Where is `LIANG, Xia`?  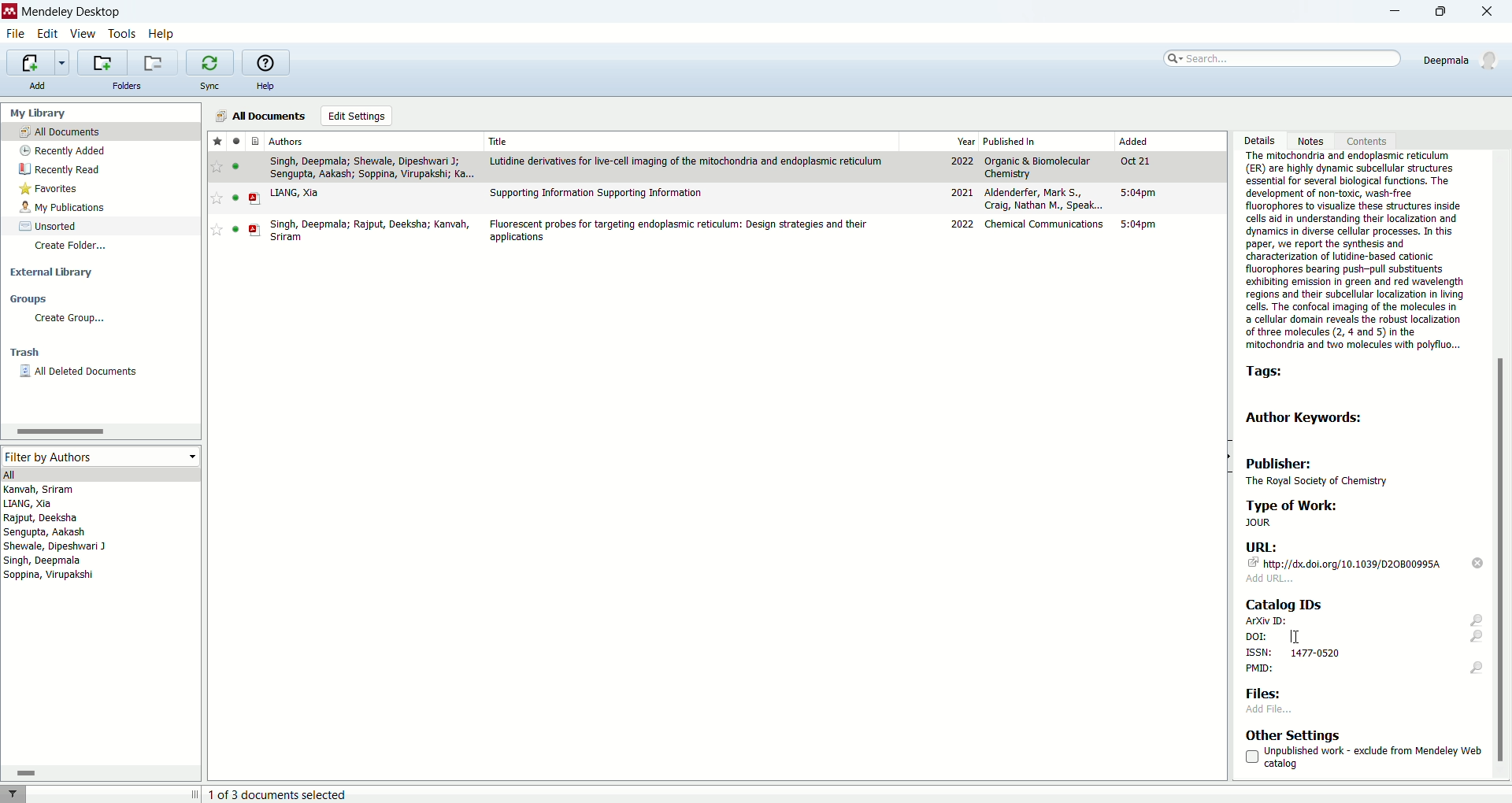 LIANG, Xia is located at coordinates (295, 193).